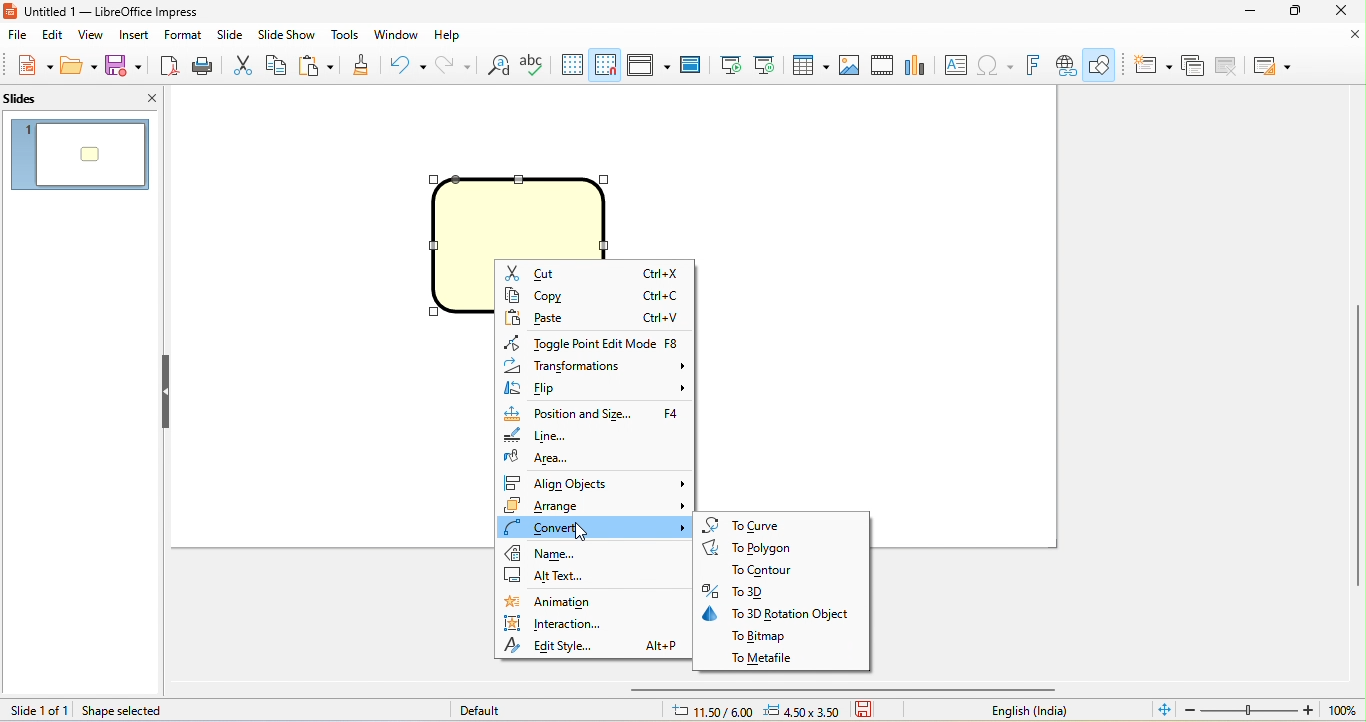 The image size is (1366, 722). Describe the element at coordinates (1102, 65) in the screenshot. I see `show draw function` at that location.